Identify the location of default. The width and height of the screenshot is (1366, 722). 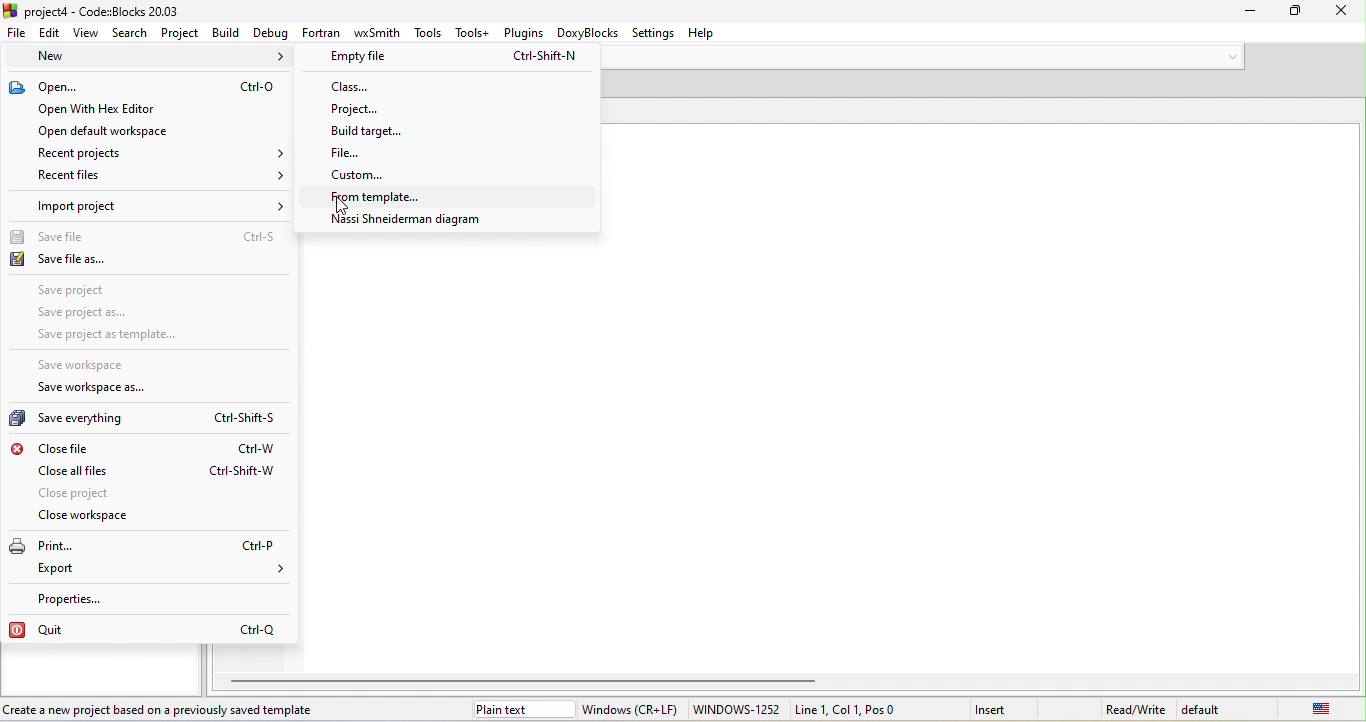
(1208, 708).